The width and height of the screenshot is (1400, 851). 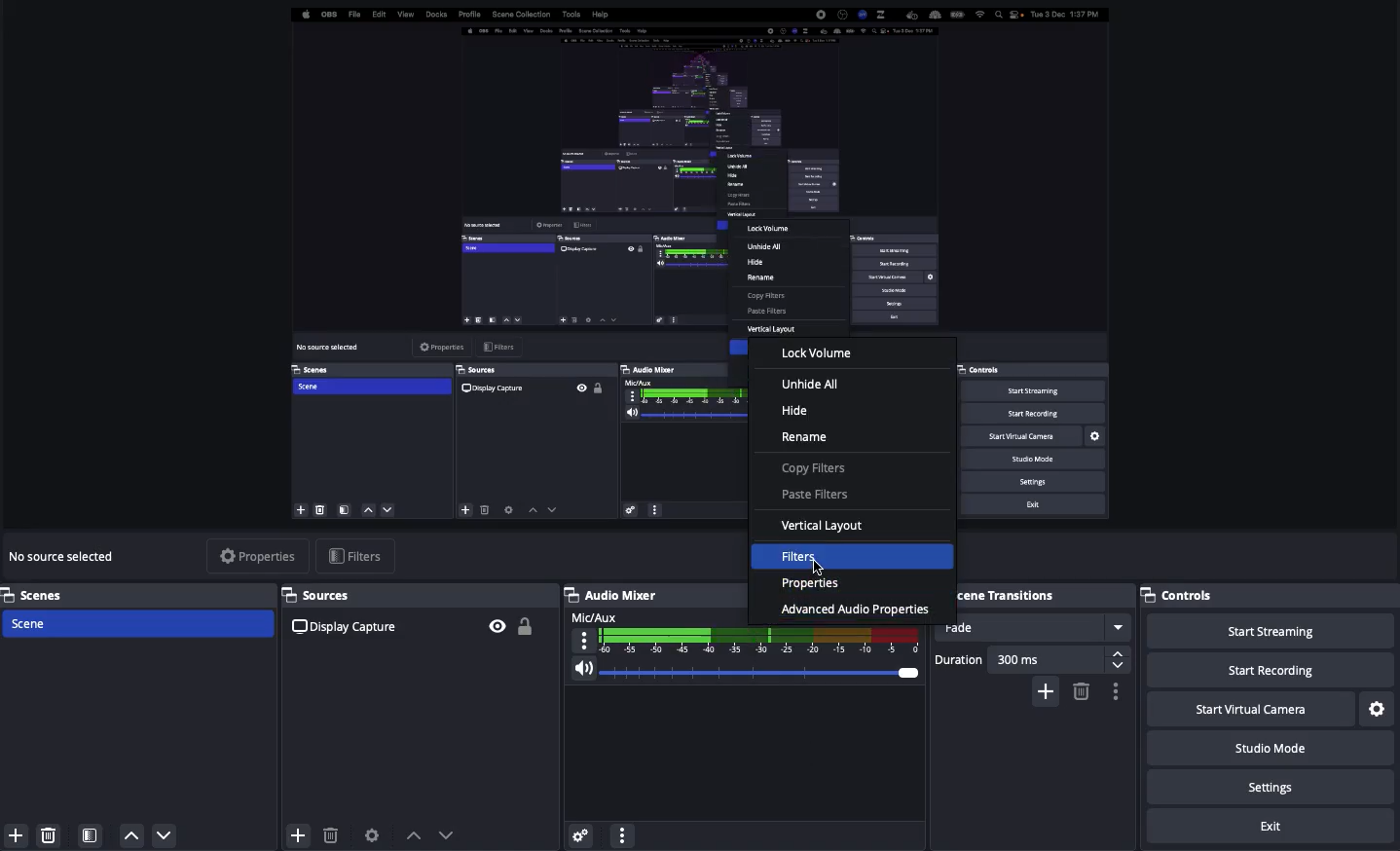 What do you see at coordinates (1083, 690) in the screenshot?
I see `Remove` at bounding box center [1083, 690].